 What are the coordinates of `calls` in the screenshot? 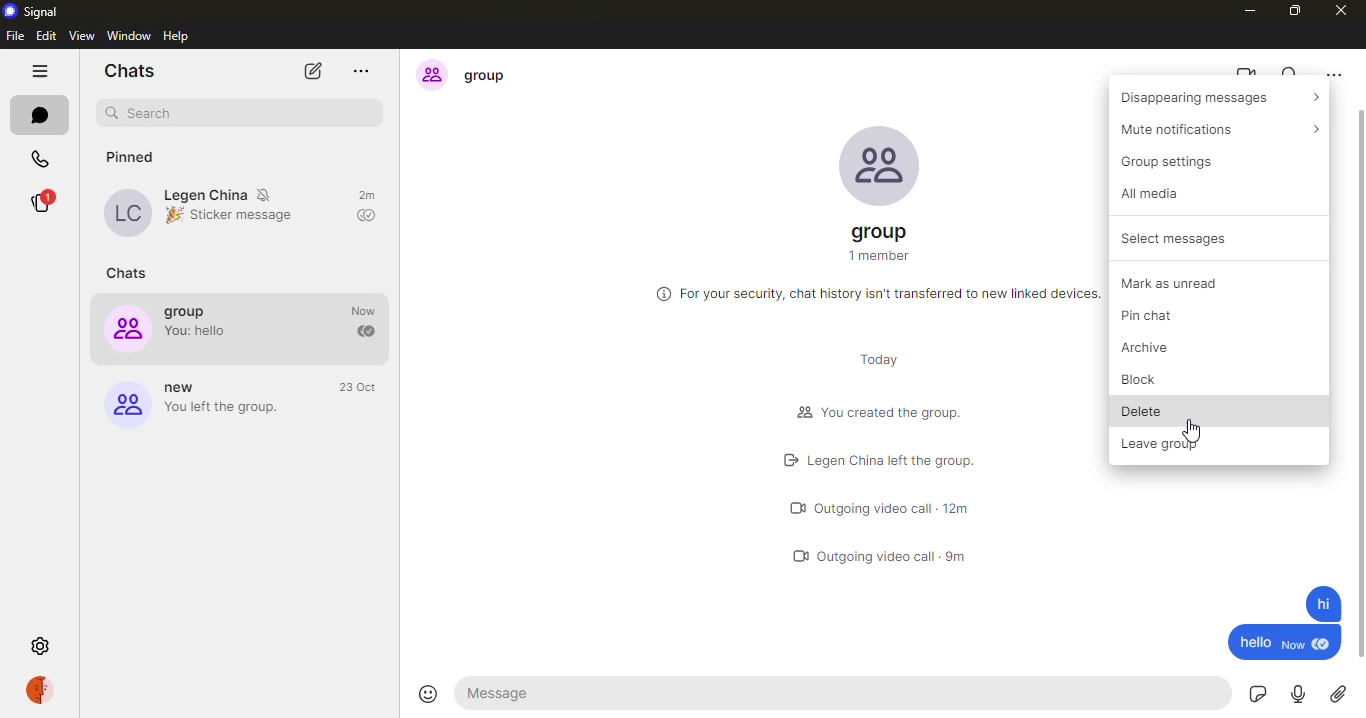 It's located at (38, 157).